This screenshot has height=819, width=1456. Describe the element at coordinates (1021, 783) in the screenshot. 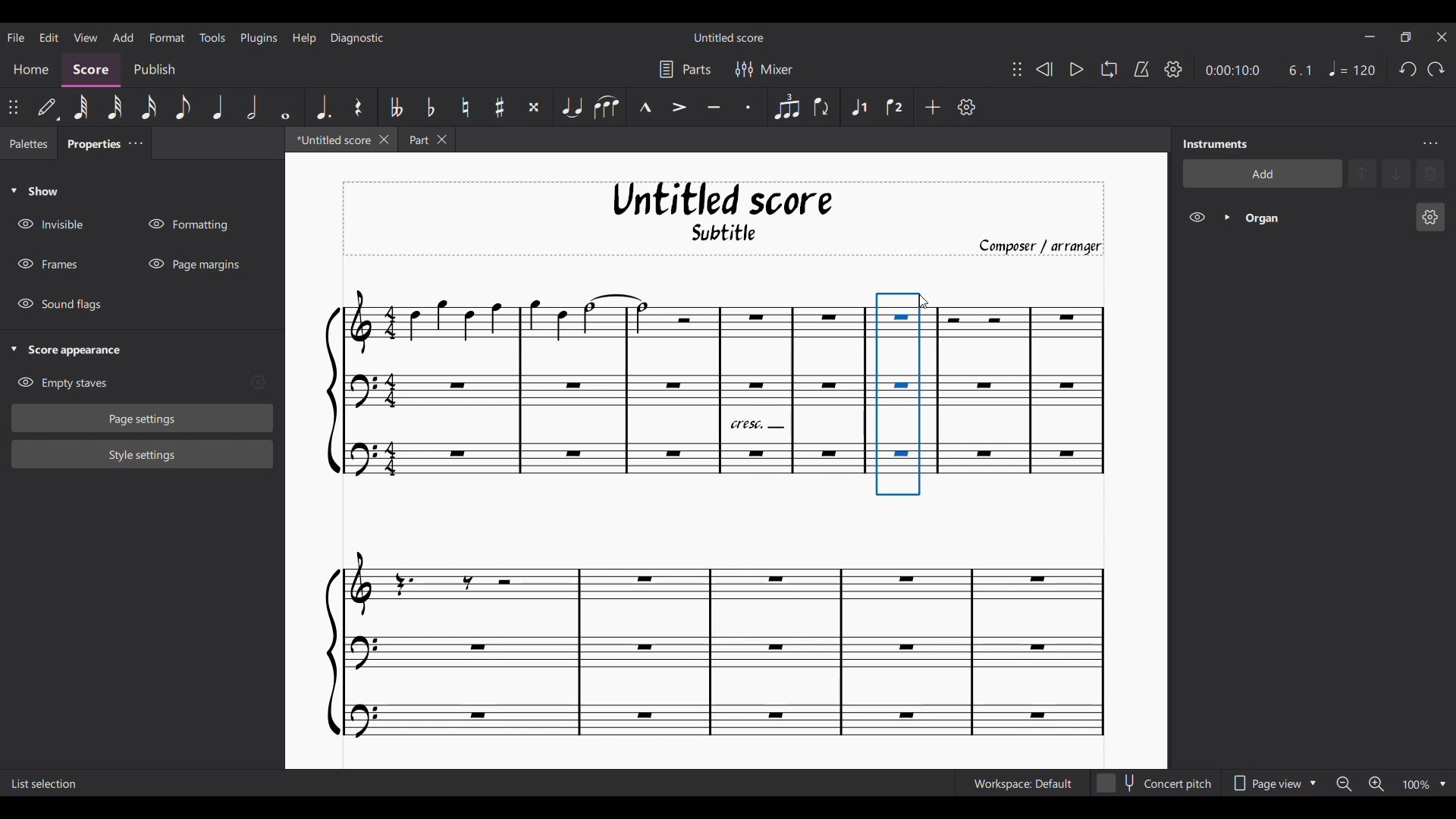

I see `Workspace settings` at that location.